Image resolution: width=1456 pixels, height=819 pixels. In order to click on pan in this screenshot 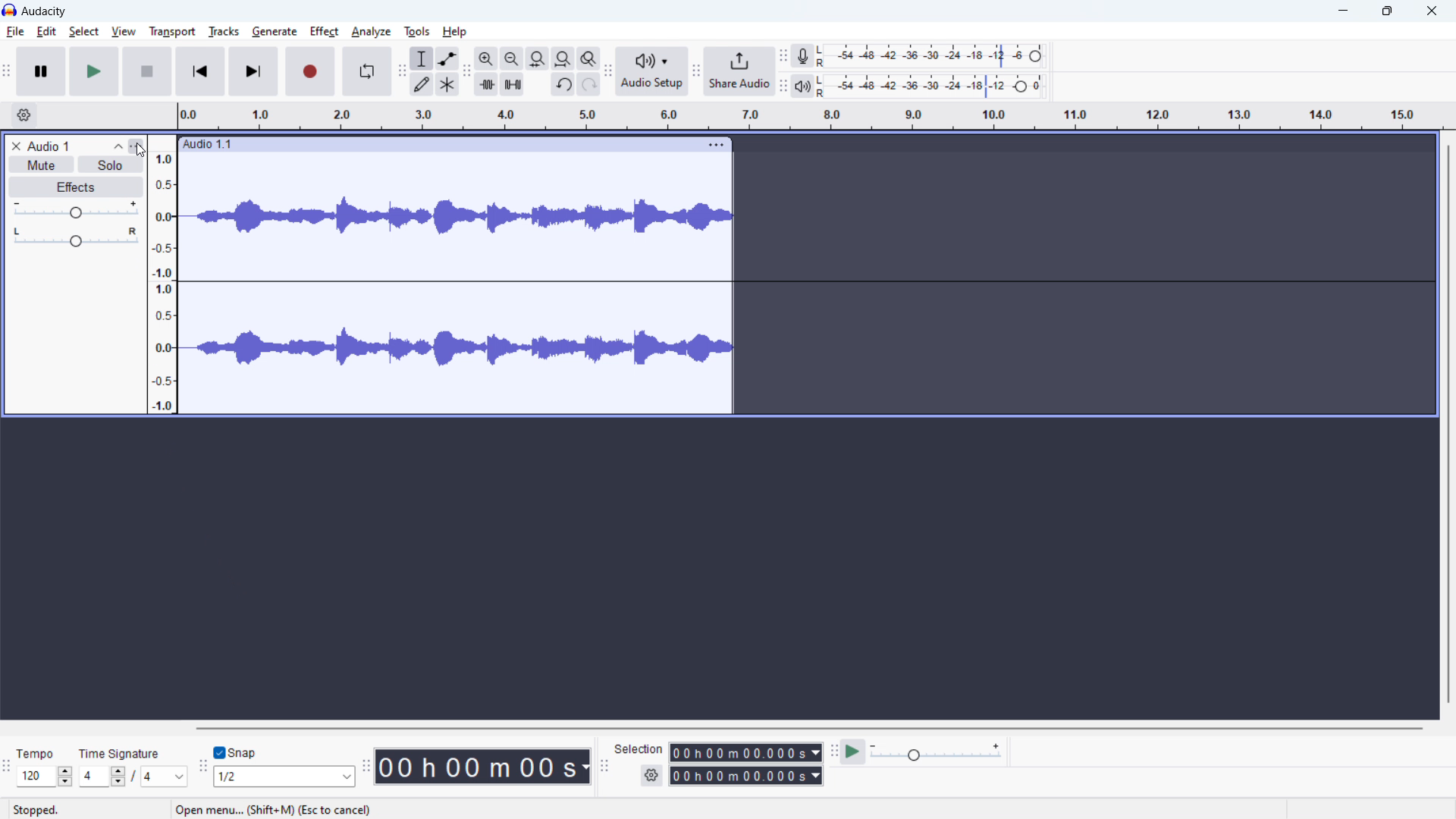, I will do `click(74, 237)`.